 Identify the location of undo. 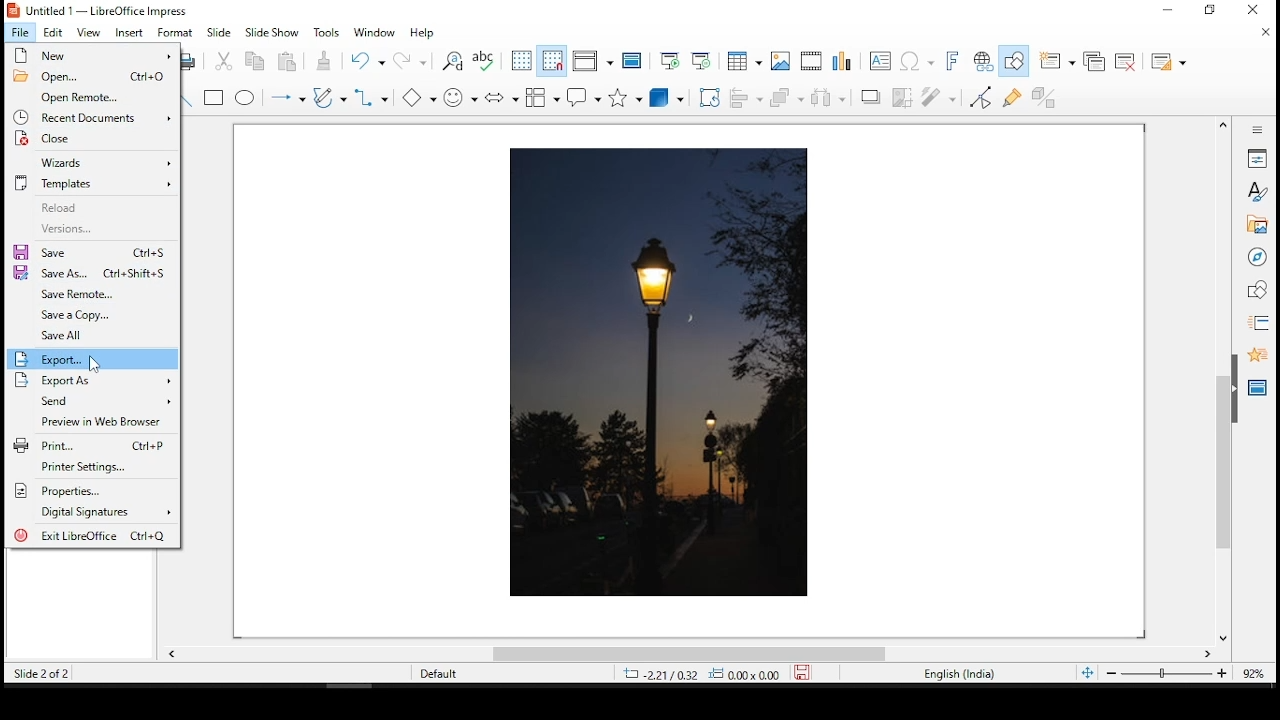
(367, 61).